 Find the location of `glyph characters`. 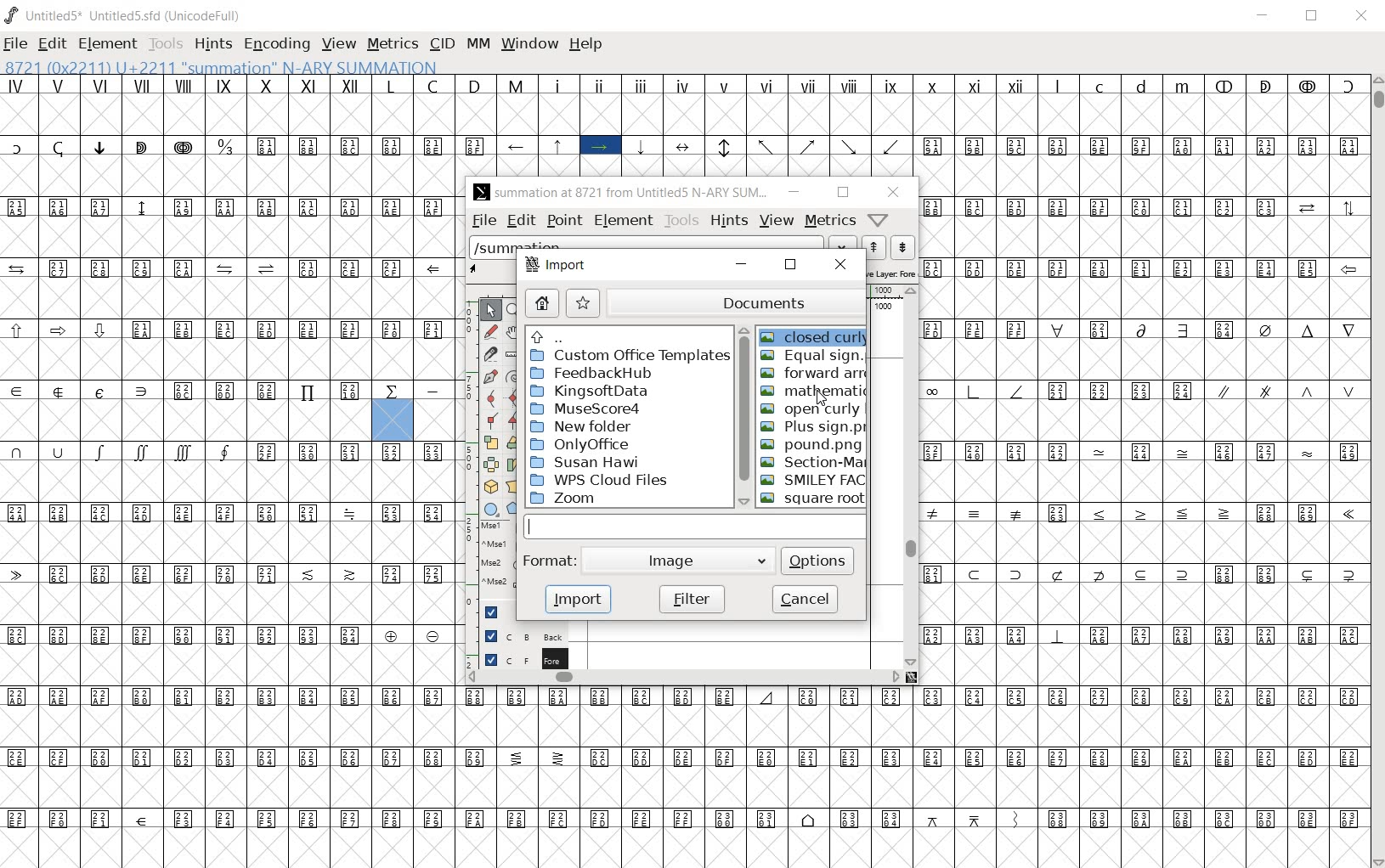

glyph characters is located at coordinates (1145, 441).